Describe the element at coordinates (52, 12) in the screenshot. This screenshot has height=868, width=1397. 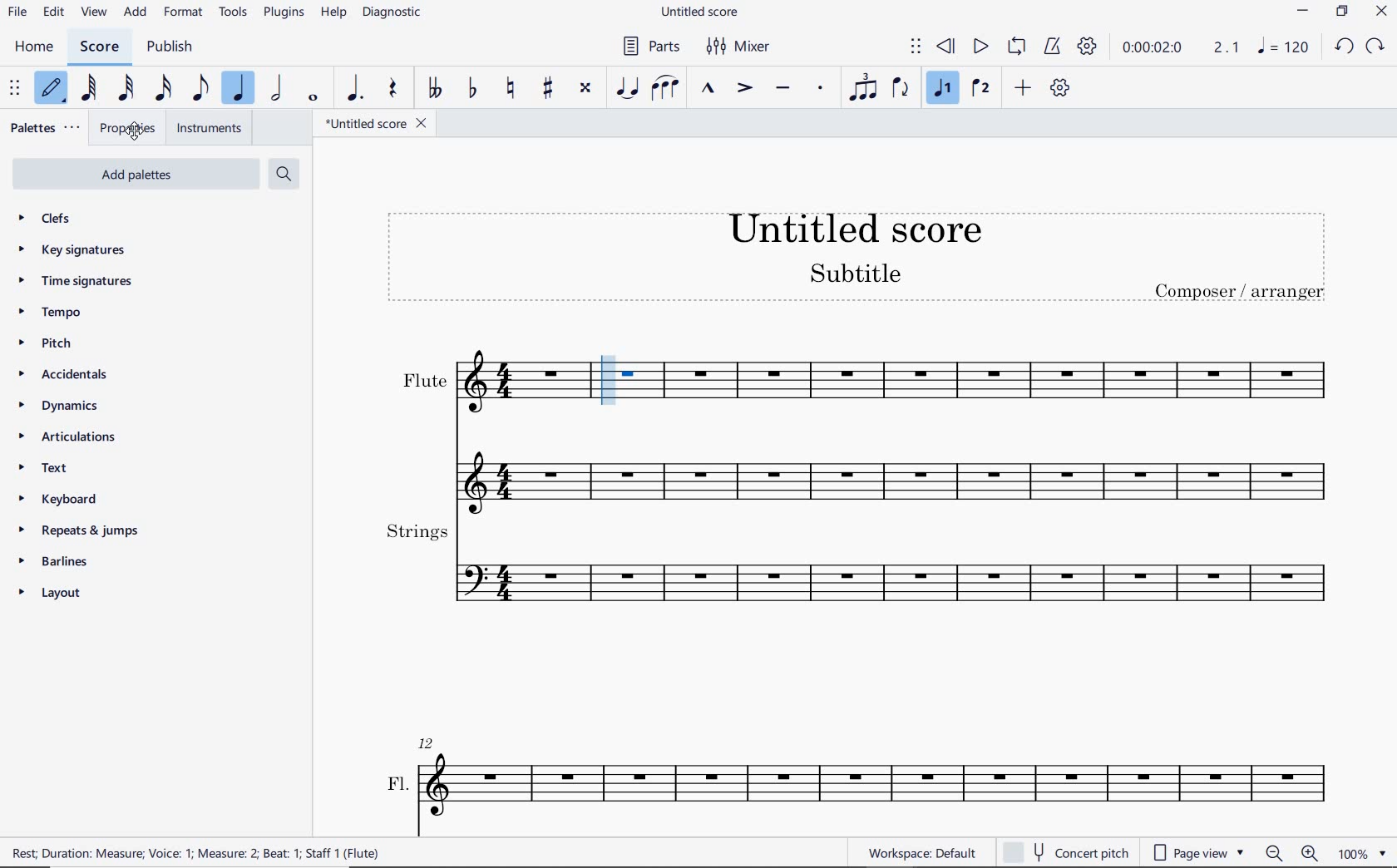
I see `edit` at that location.